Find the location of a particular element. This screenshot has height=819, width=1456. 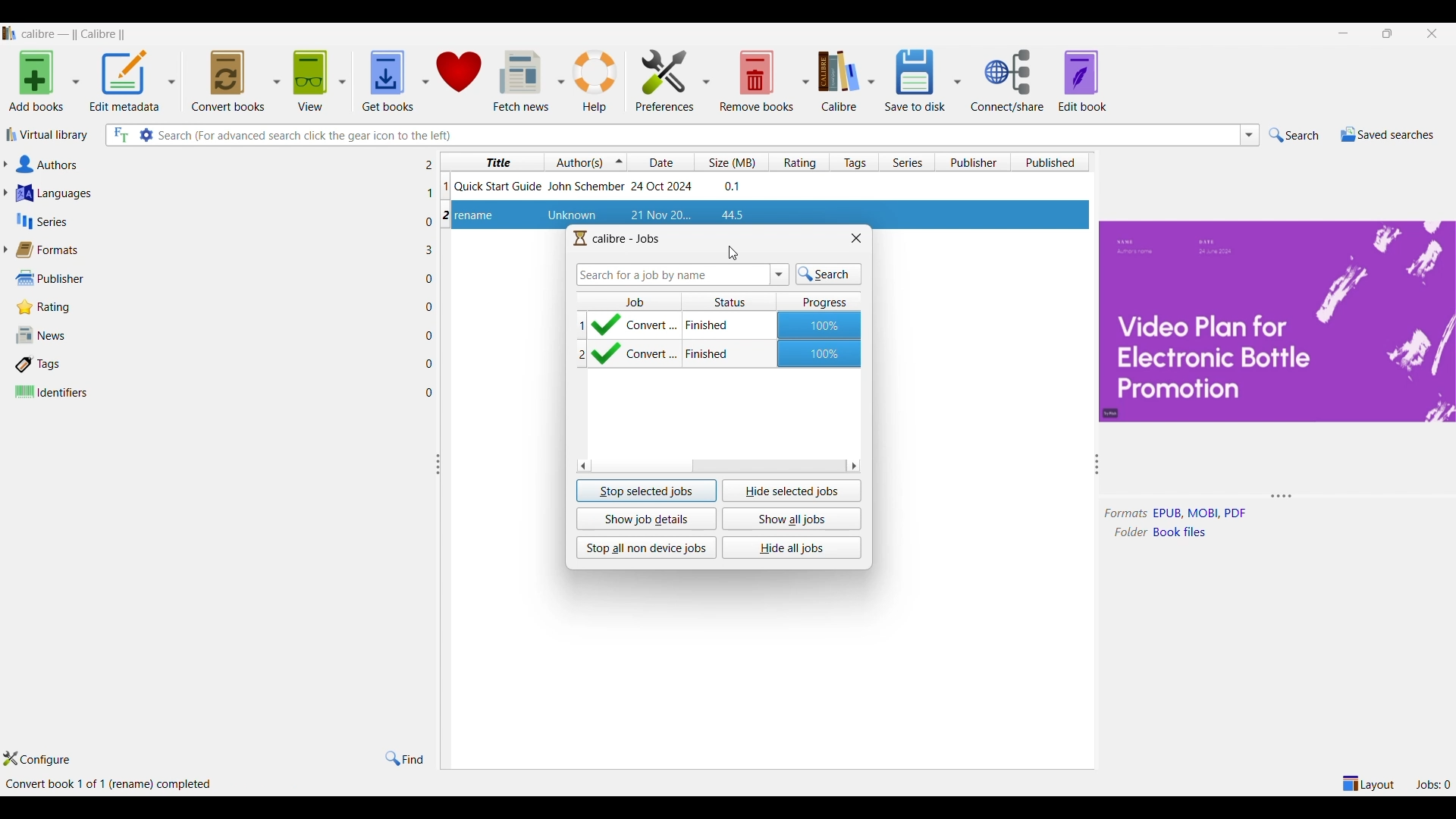

Horizontal slider is located at coordinates (718, 466).